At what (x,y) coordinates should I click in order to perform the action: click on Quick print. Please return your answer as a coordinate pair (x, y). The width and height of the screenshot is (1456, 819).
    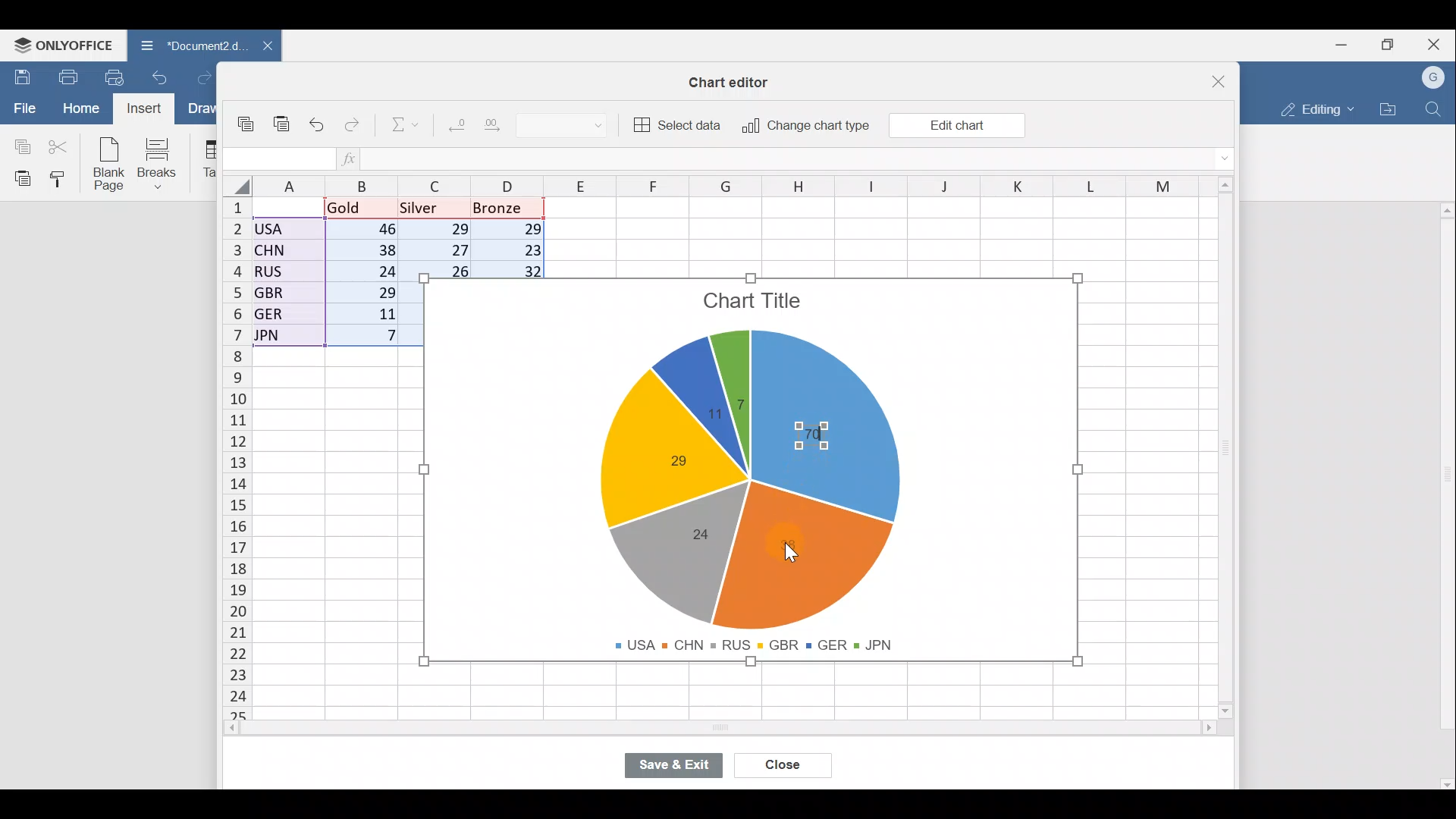
    Looking at the image, I should click on (119, 74).